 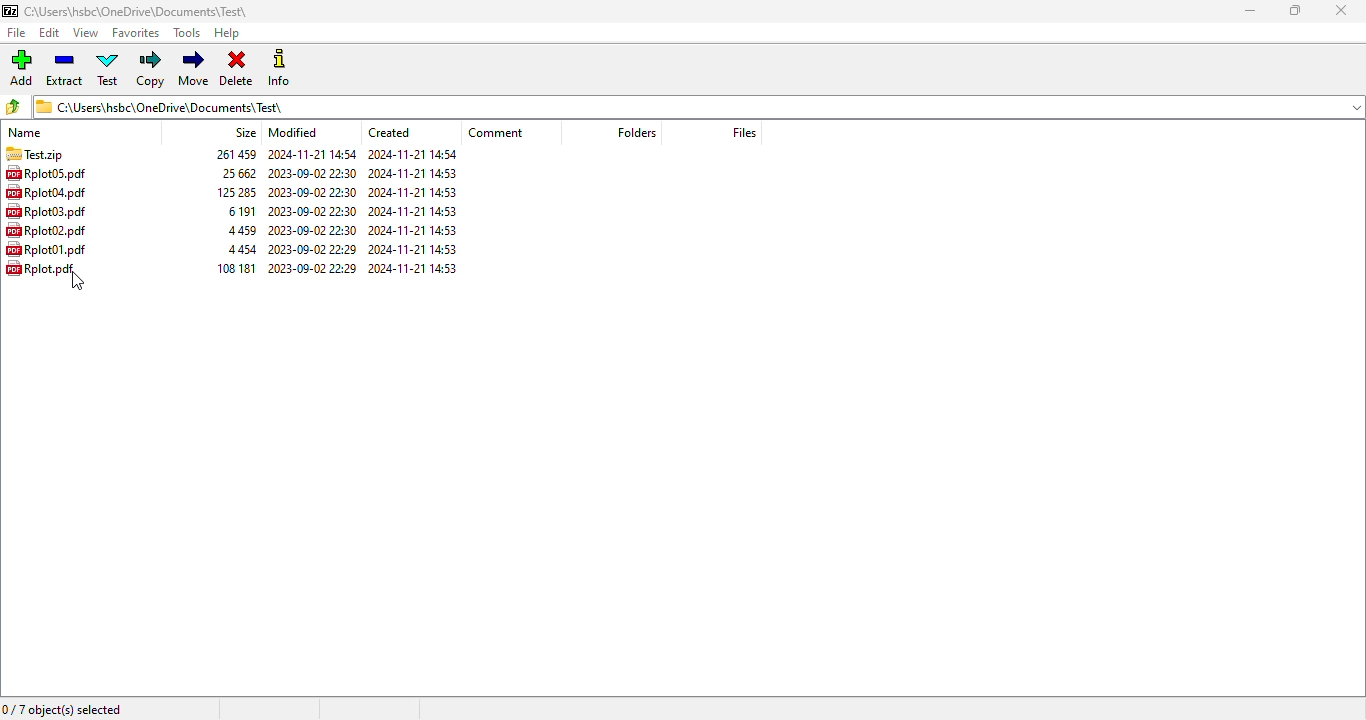 What do you see at coordinates (246, 133) in the screenshot?
I see `size` at bounding box center [246, 133].